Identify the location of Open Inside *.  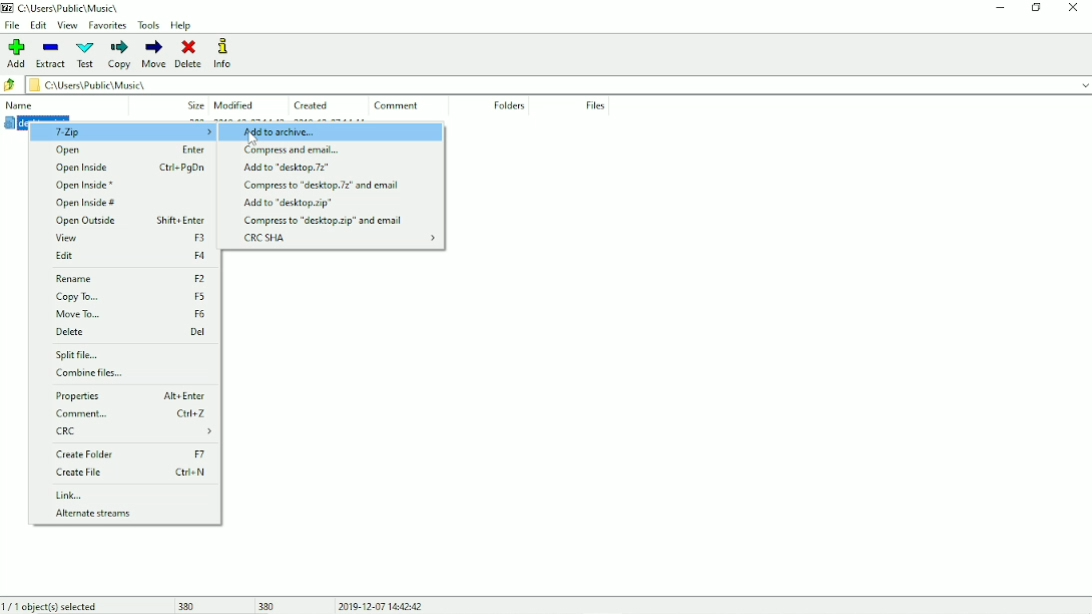
(87, 187).